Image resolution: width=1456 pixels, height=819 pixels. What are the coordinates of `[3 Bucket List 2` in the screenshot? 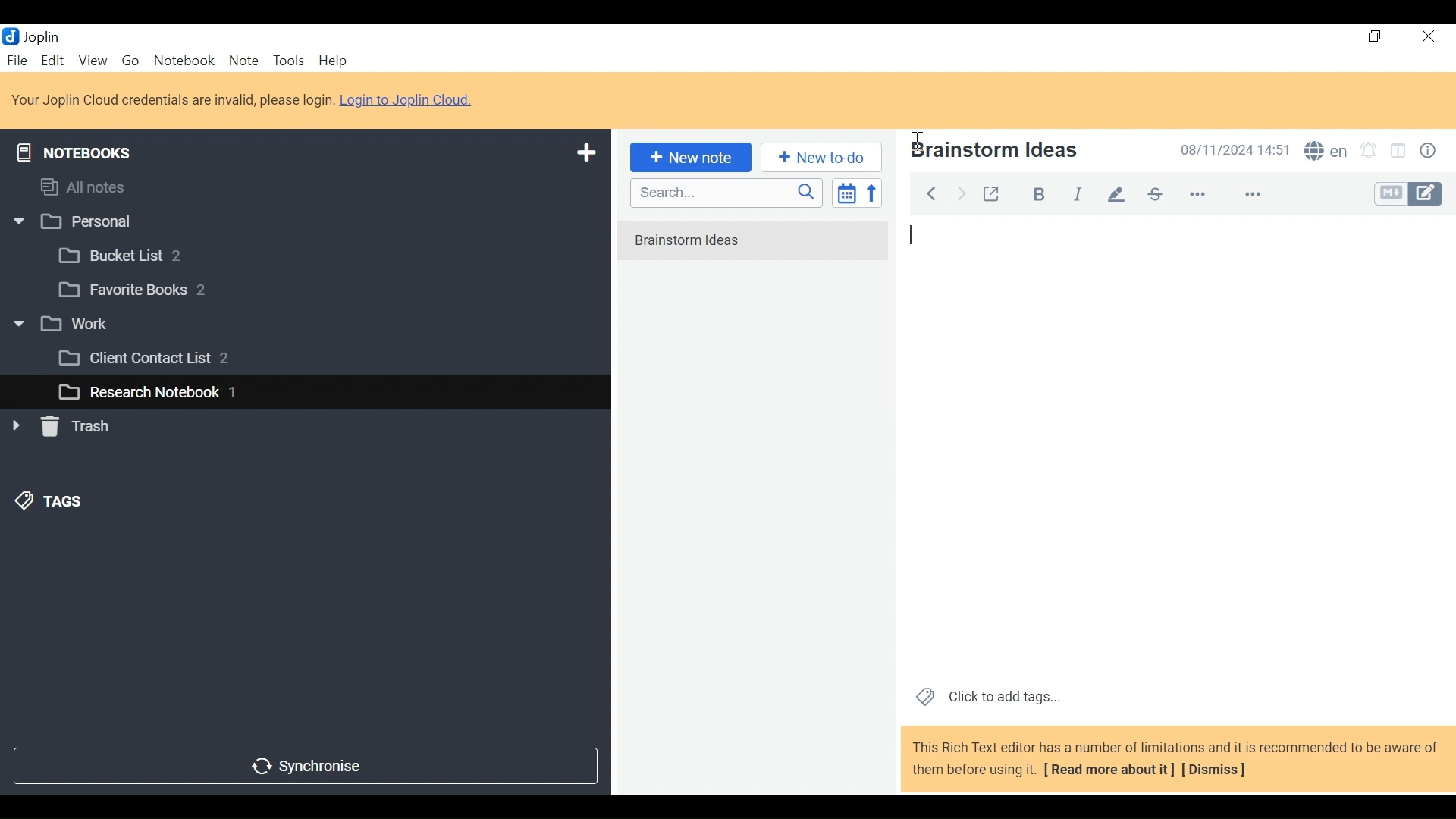 It's located at (149, 254).